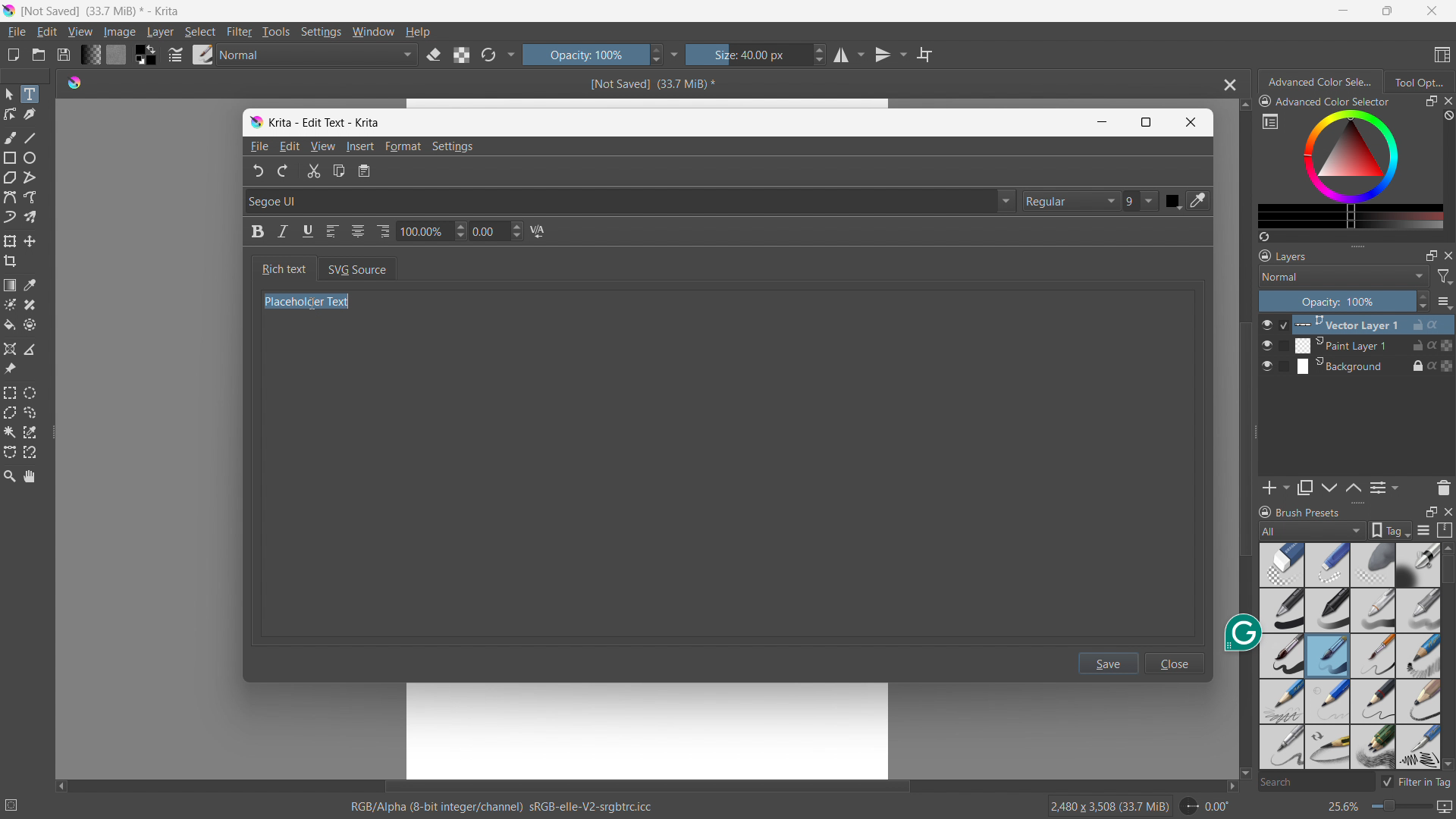 This screenshot has height=819, width=1456. I want to click on Paint Layer 1, so click(1367, 346).